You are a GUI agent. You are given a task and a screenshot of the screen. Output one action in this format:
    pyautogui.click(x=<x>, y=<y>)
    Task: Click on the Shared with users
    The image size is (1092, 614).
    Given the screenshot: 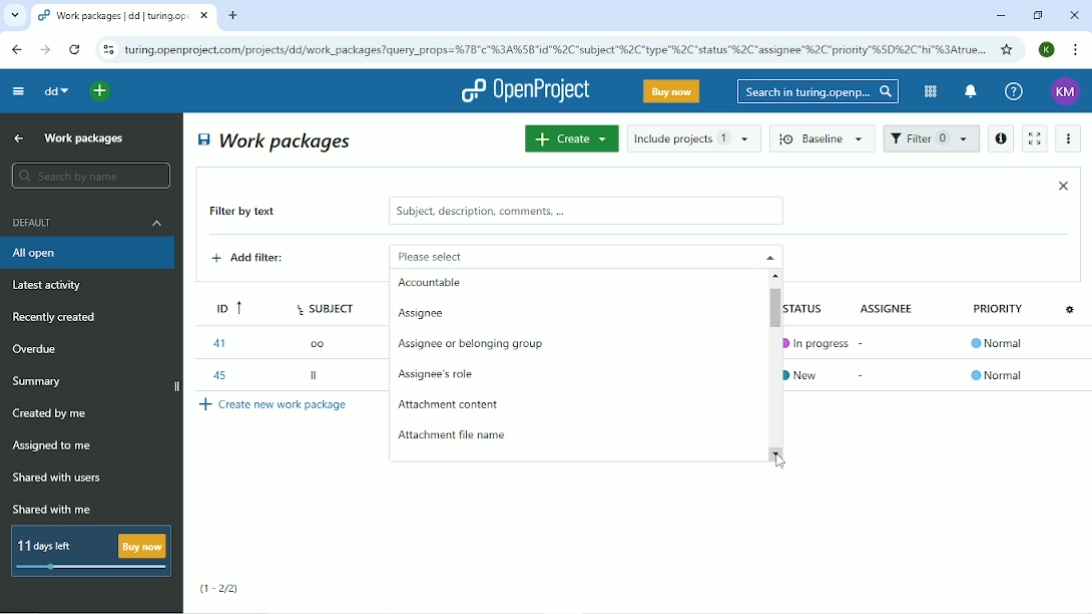 What is the action you would take?
    pyautogui.click(x=58, y=478)
    